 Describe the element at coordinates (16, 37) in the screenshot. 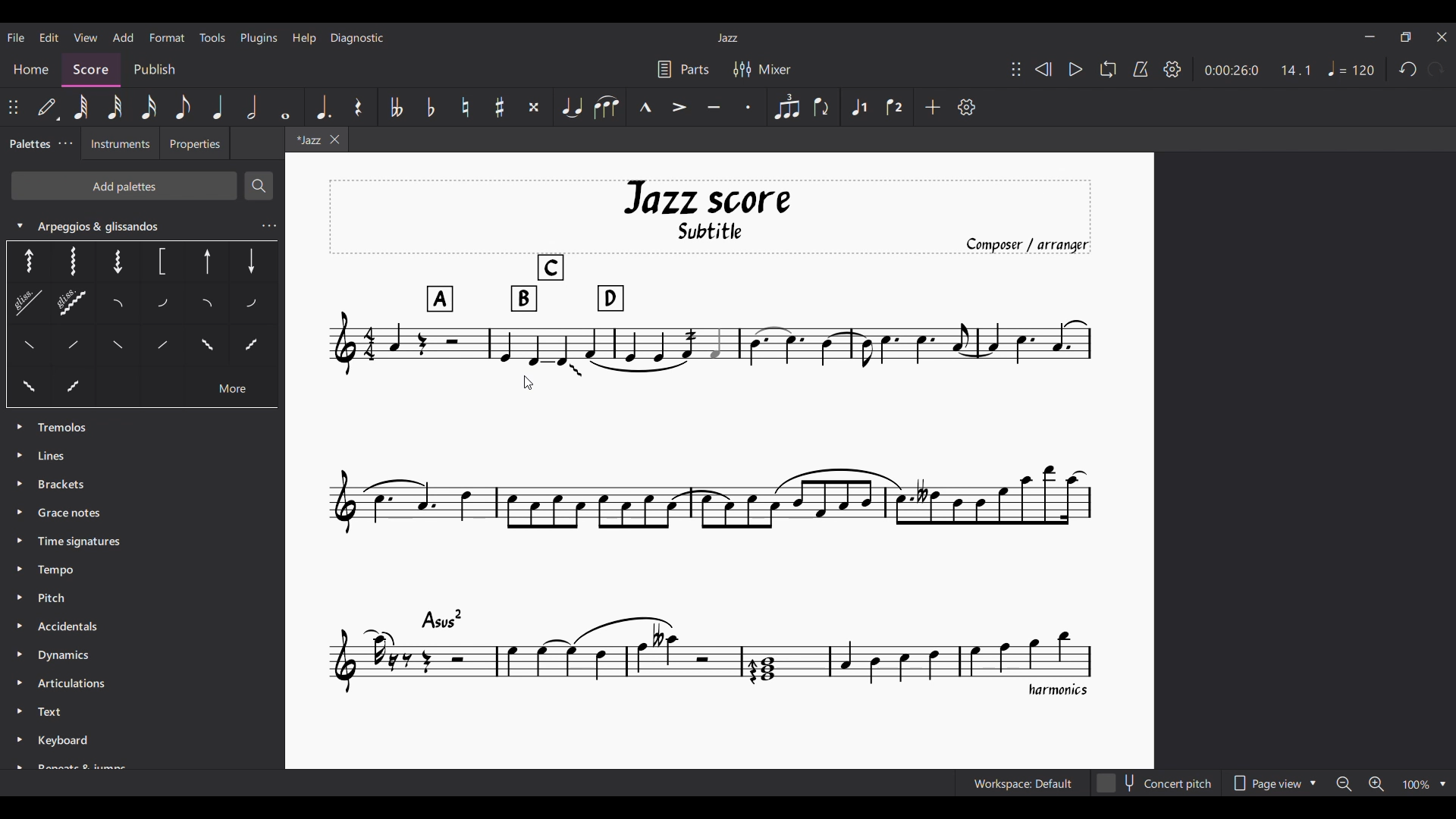

I see `File menu` at that location.